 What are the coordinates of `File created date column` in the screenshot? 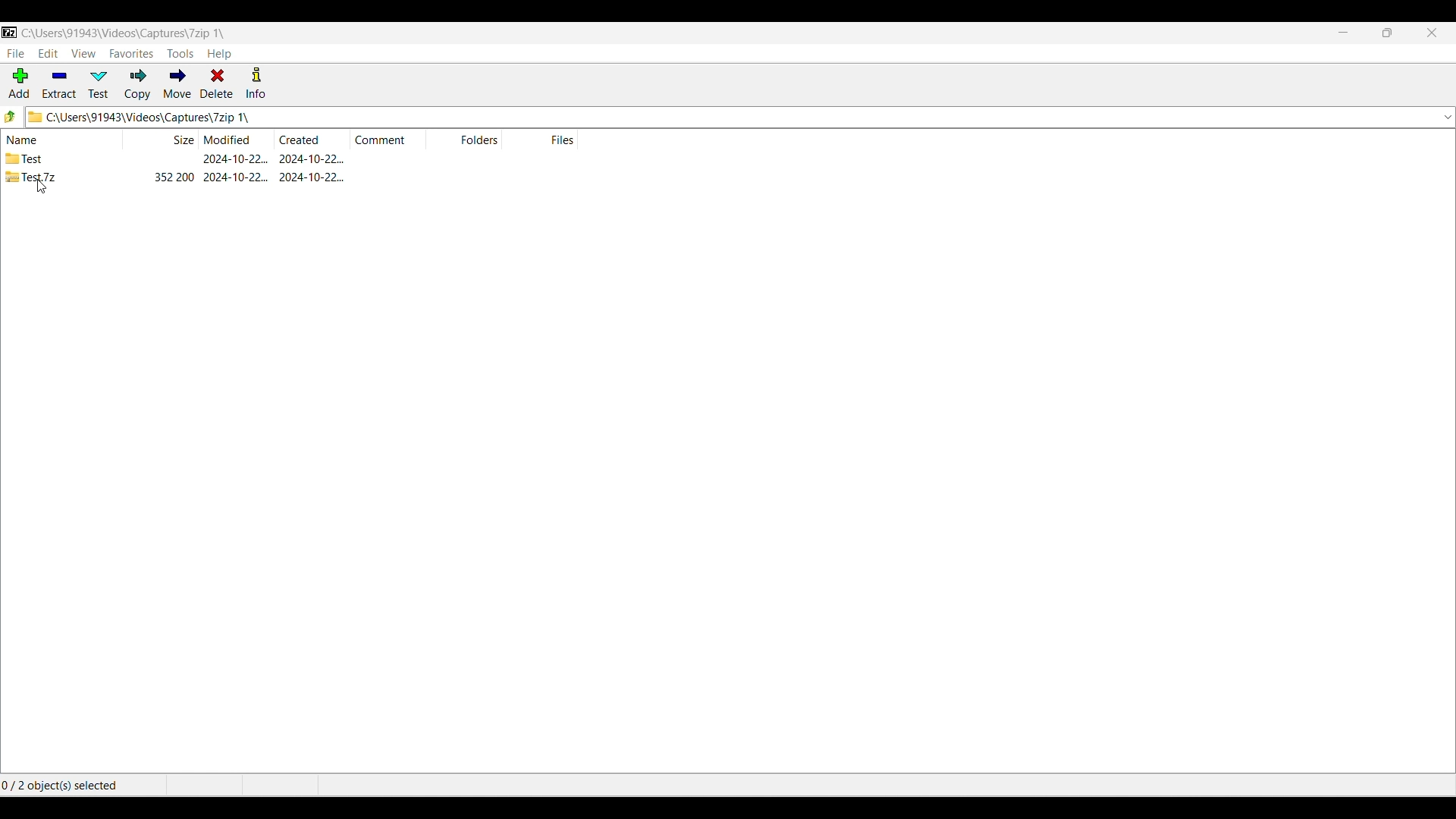 It's located at (300, 138).